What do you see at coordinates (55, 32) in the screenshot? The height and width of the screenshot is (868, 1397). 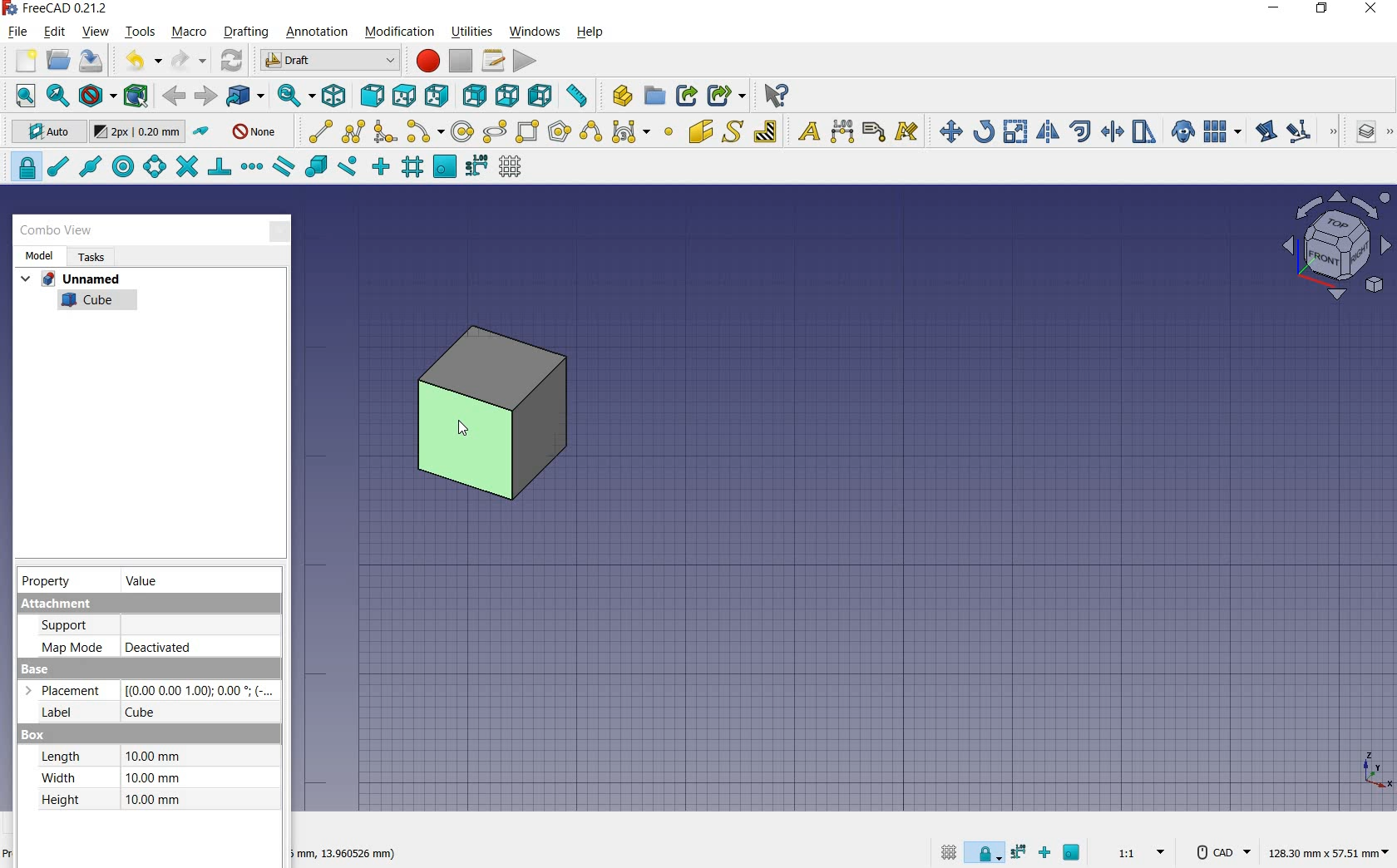 I see `edit` at bounding box center [55, 32].